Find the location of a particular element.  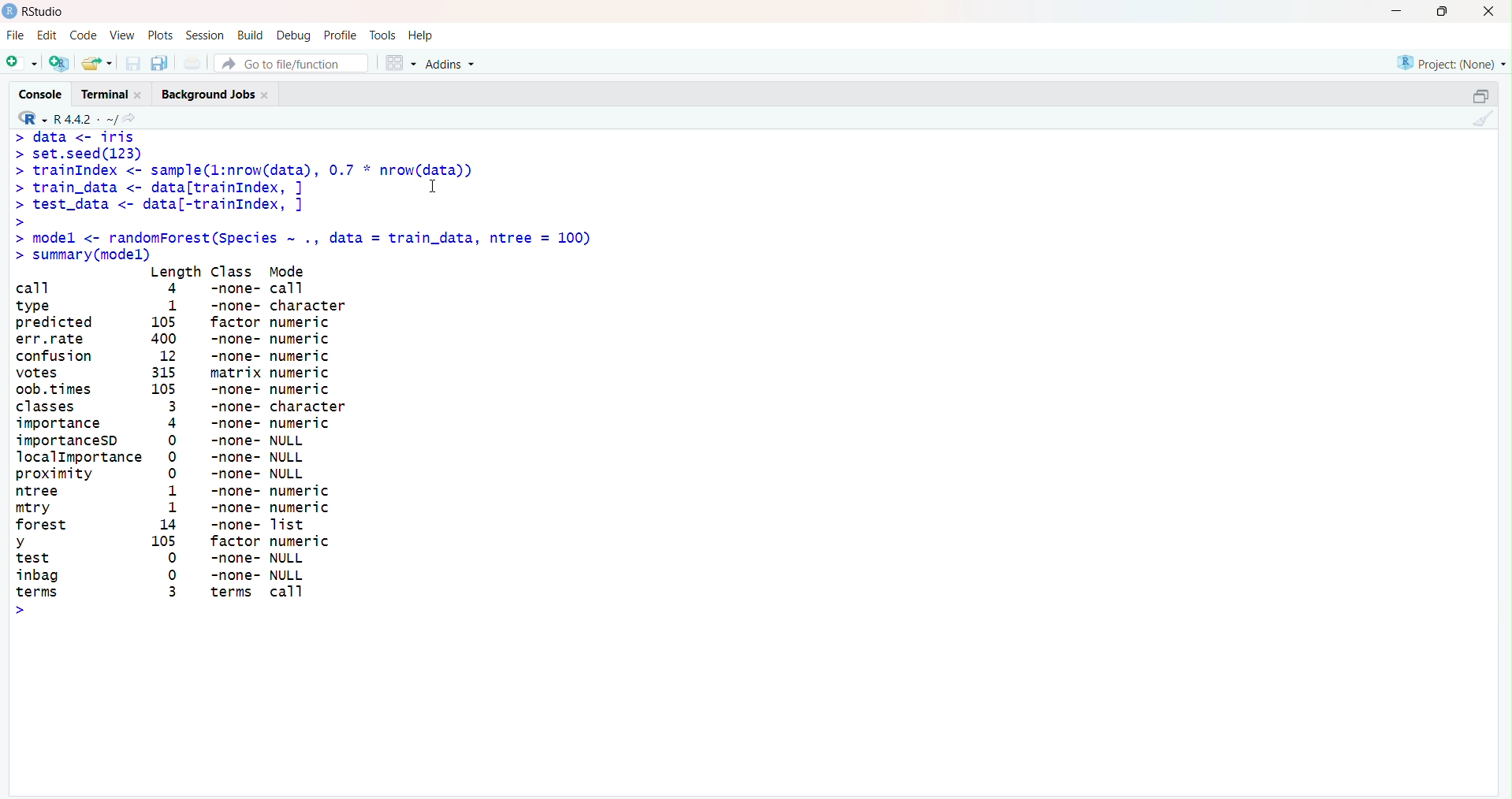

Console is located at coordinates (43, 91).